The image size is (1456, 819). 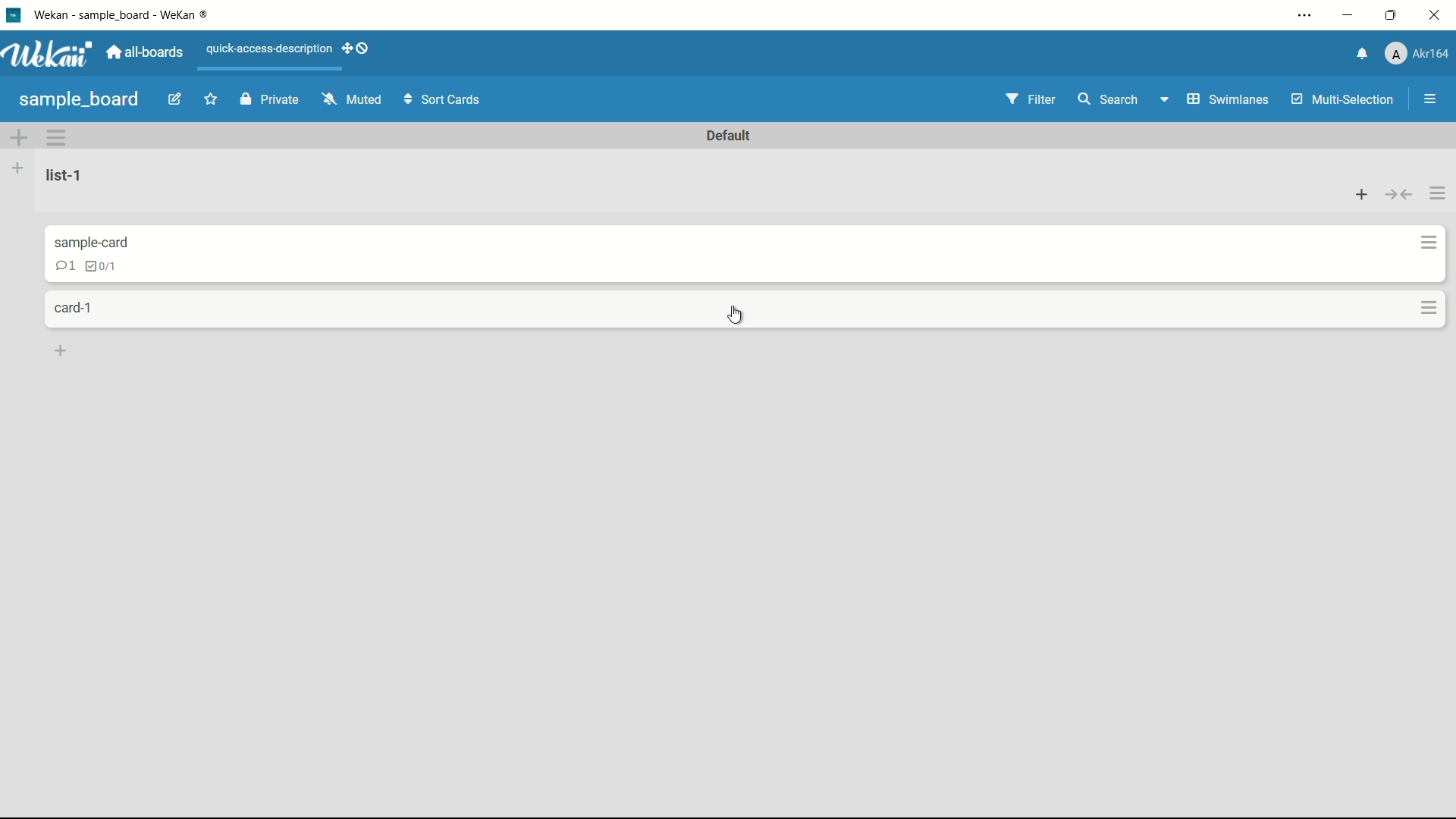 I want to click on card actions, so click(x=1423, y=240).